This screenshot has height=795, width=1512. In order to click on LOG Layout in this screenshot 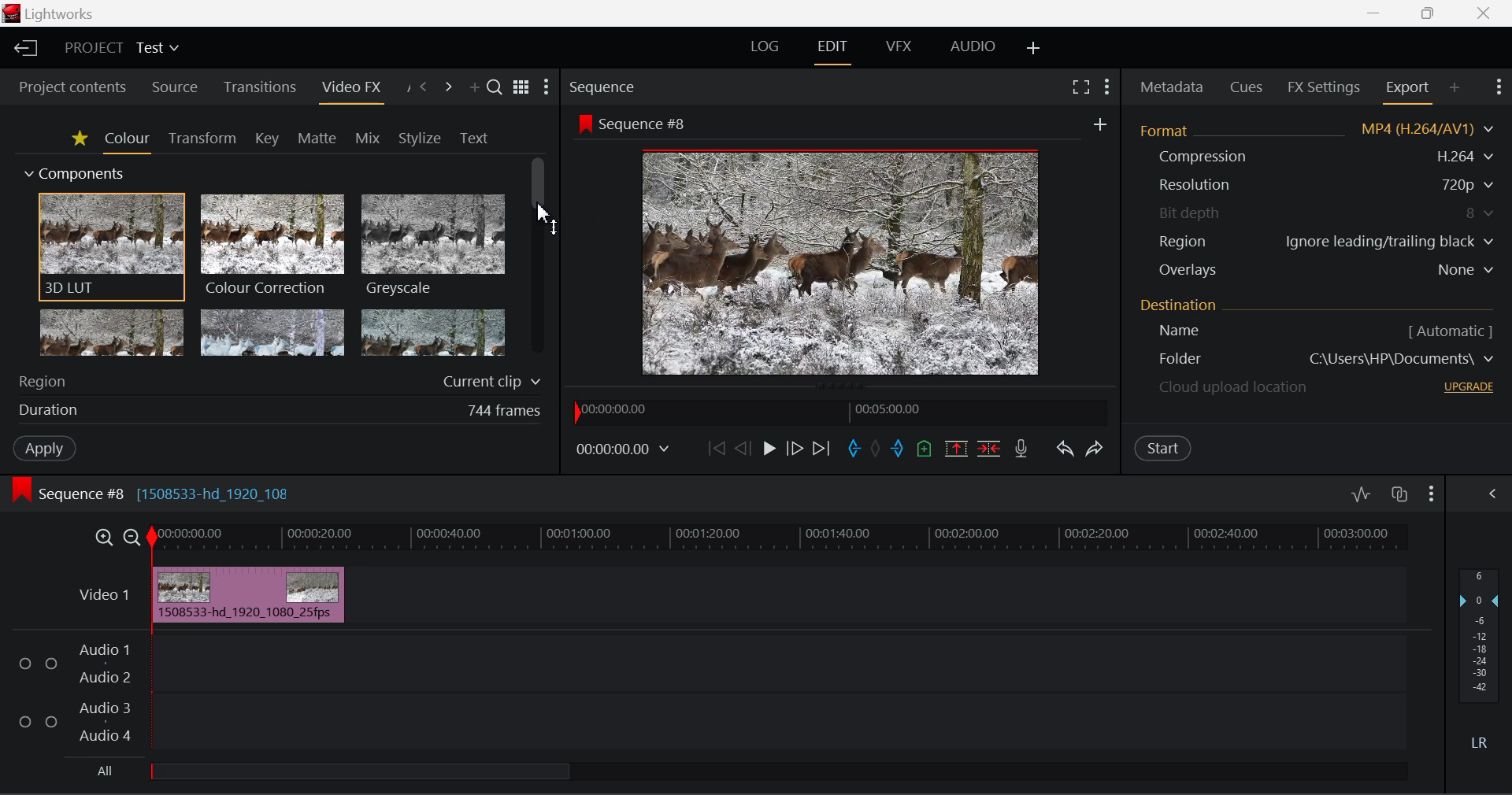, I will do `click(767, 46)`.